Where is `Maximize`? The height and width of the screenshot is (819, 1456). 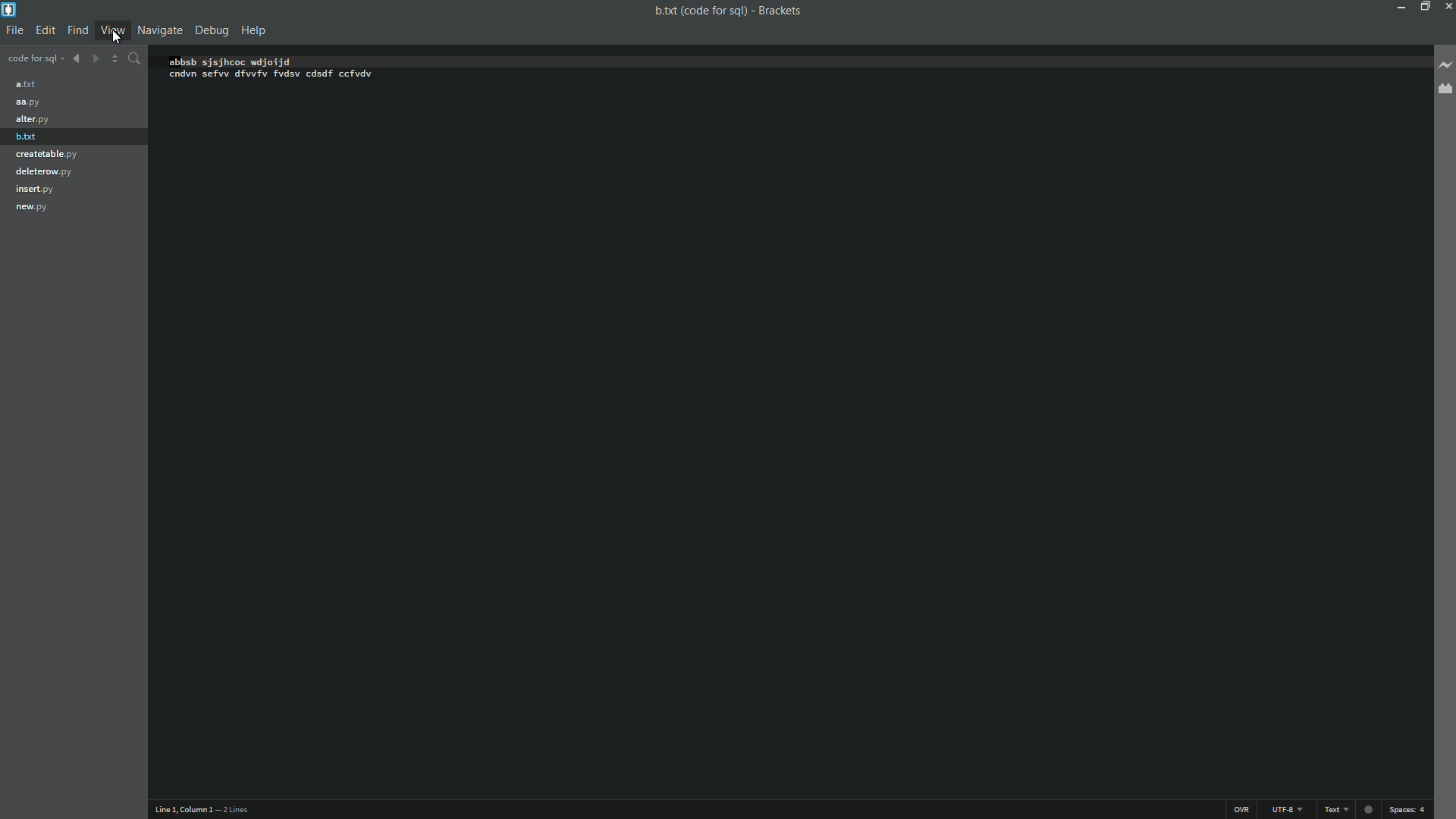
Maximize is located at coordinates (1423, 6).